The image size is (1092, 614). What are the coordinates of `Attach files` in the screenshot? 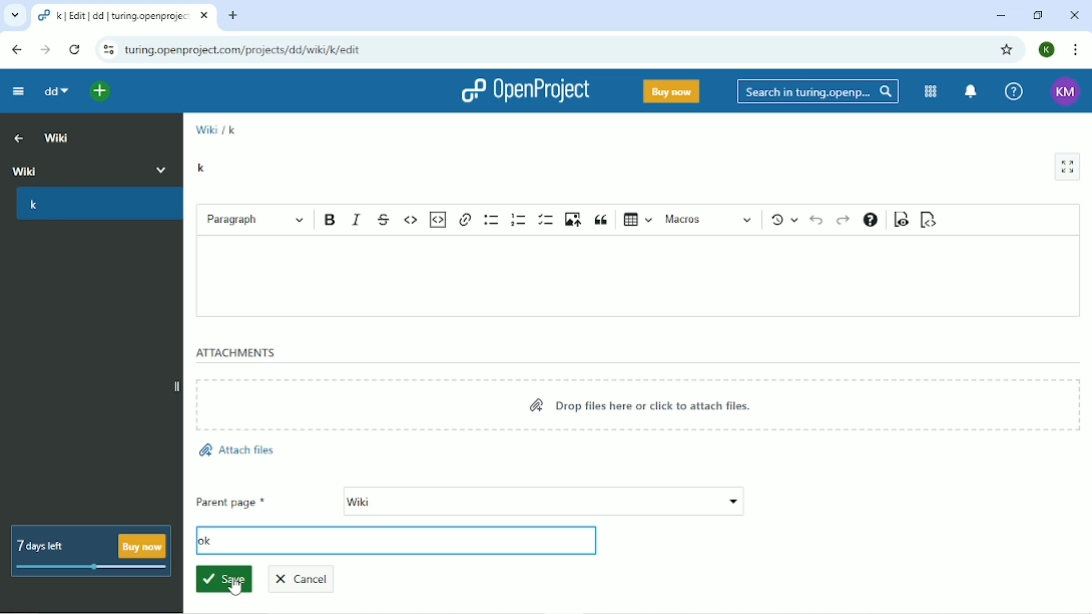 It's located at (236, 451).